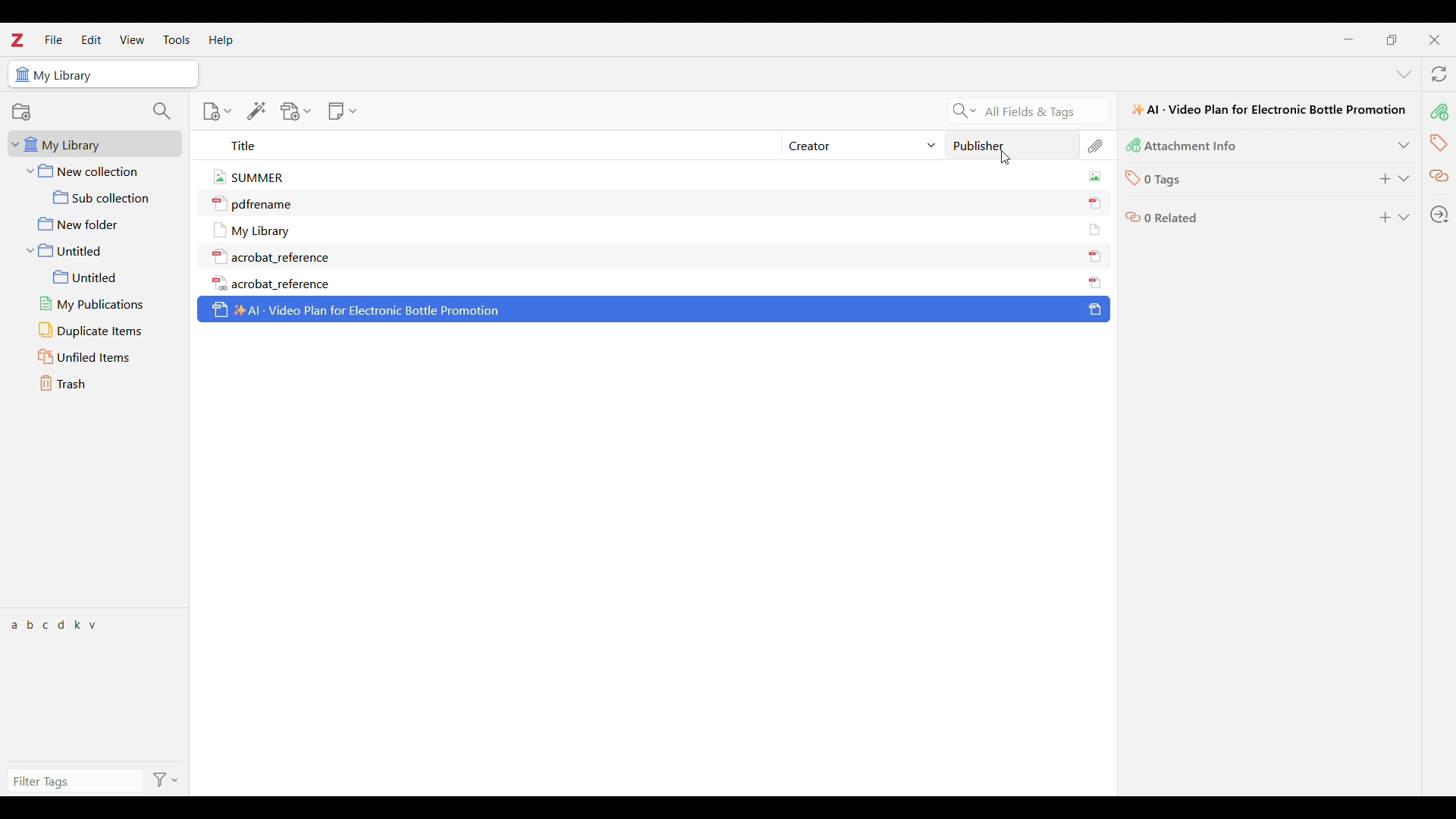 This screenshot has height=819, width=1456. What do you see at coordinates (75, 781) in the screenshot?
I see `Filter tags` at bounding box center [75, 781].